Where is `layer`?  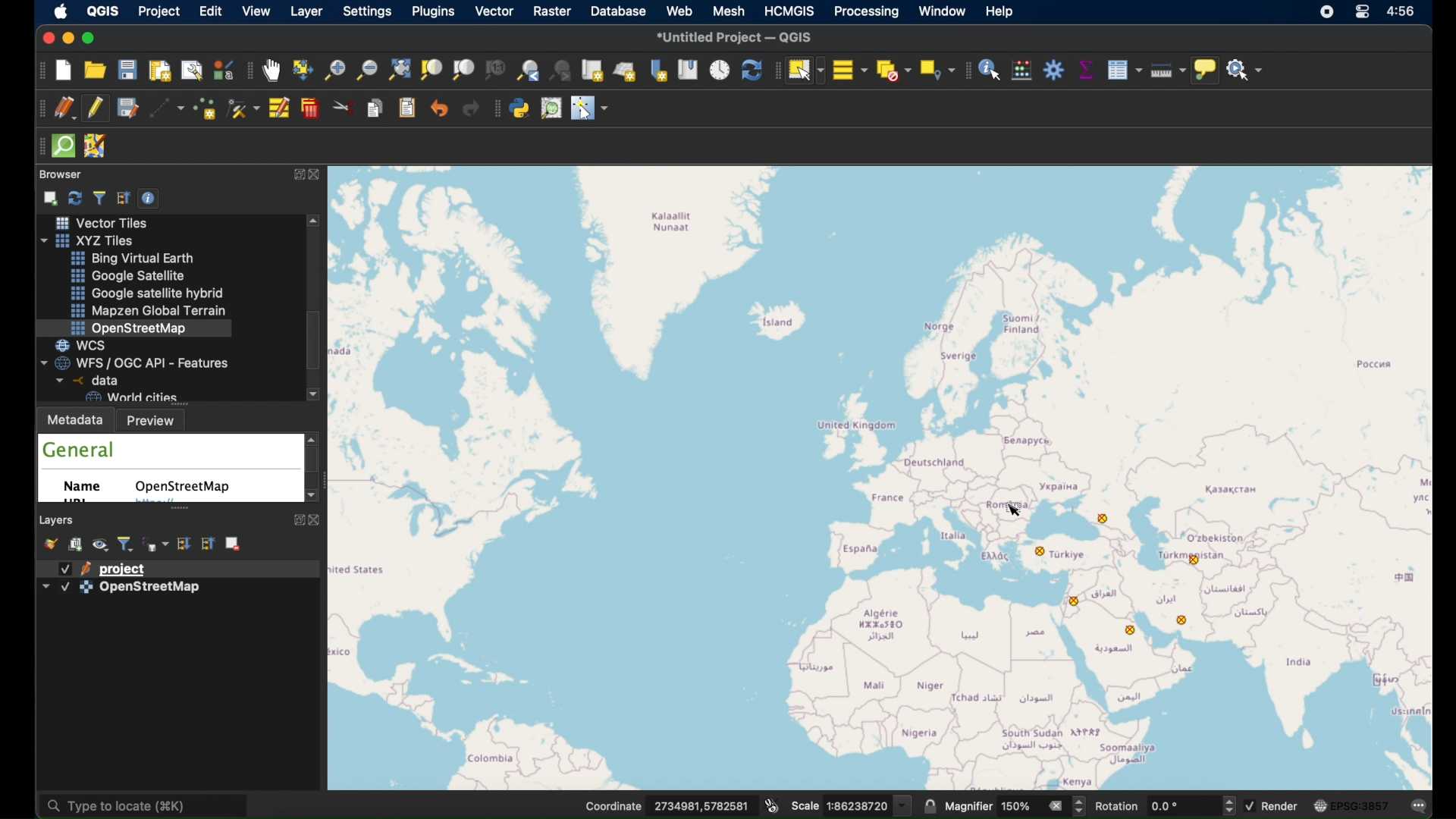 layer is located at coordinates (306, 12).